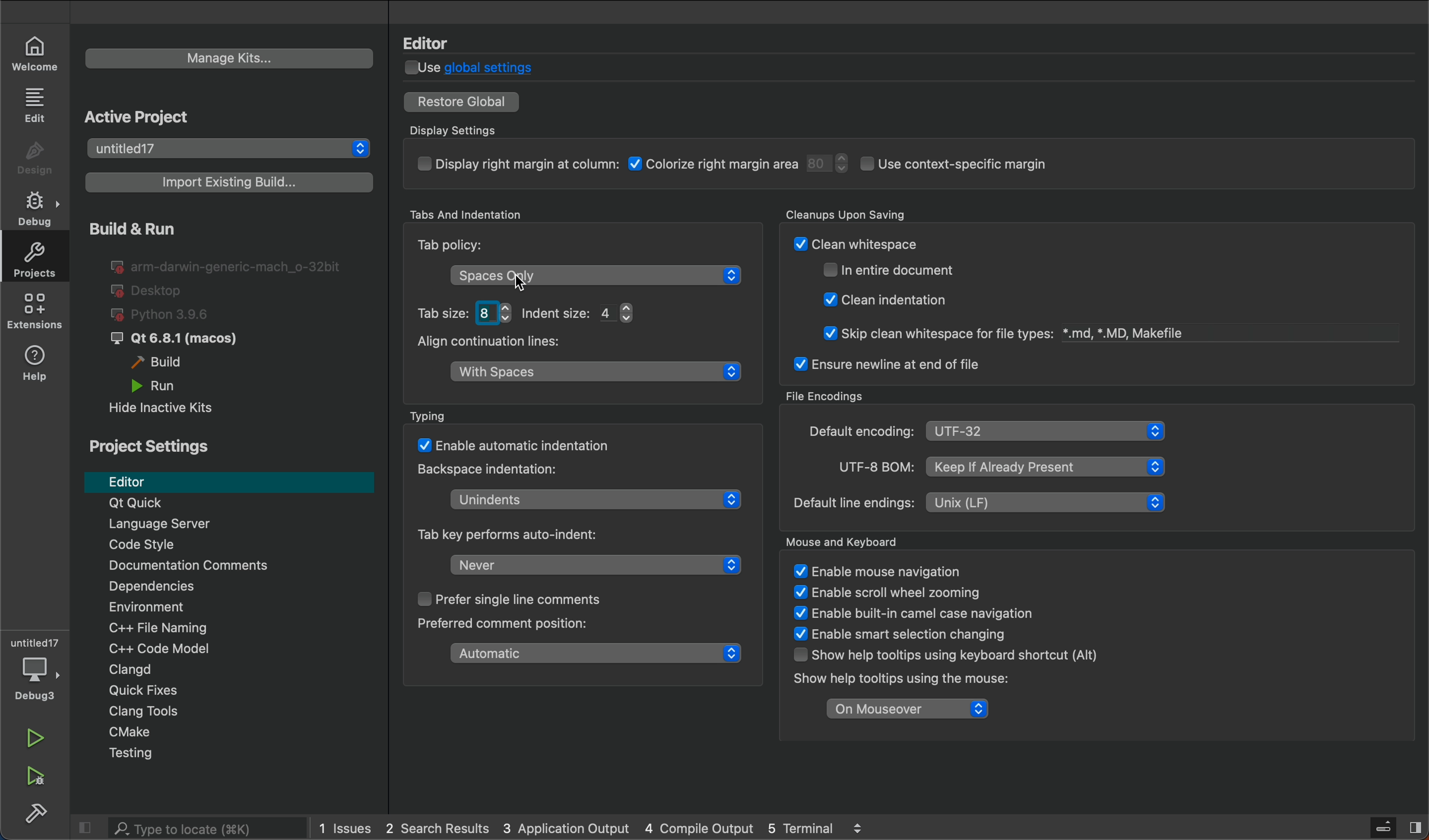 This screenshot has width=1429, height=840. What do you see at coordinates (240, 671) in the screenshot?
I see `Clangd` at bounding box center [240, 671].